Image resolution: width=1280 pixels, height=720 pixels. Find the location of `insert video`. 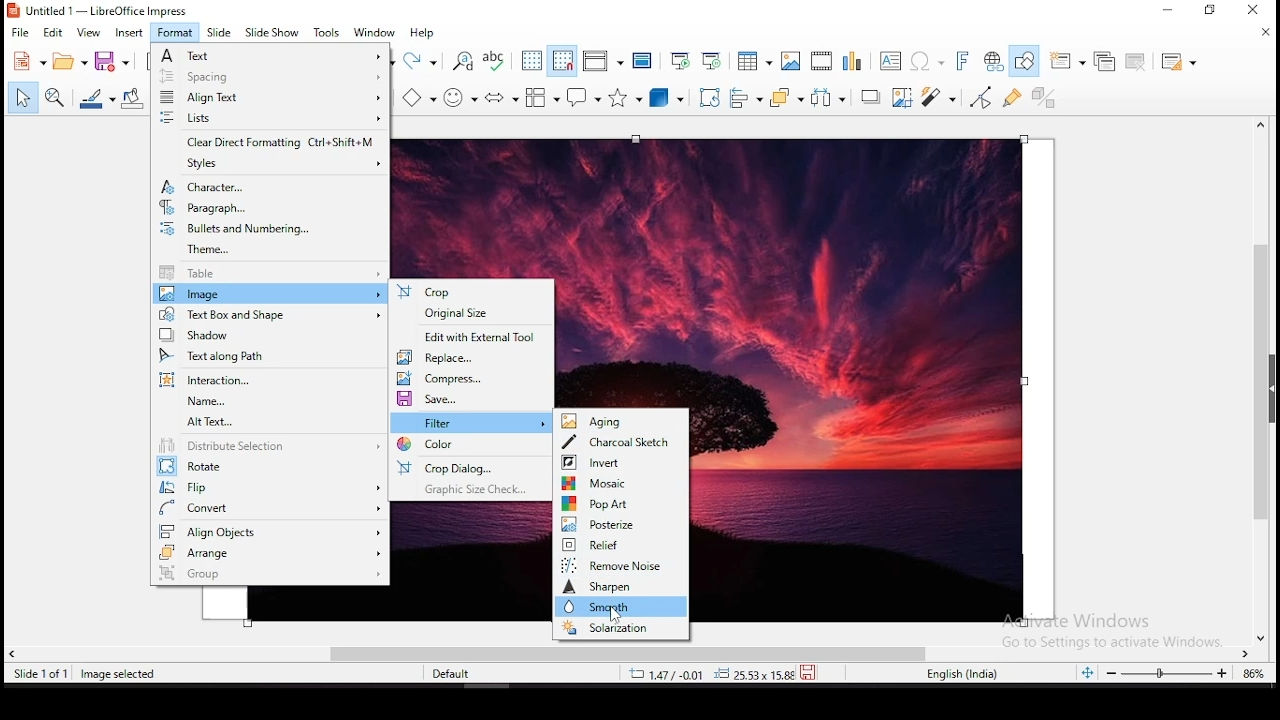

insert video is located at coordinates (821, 62).